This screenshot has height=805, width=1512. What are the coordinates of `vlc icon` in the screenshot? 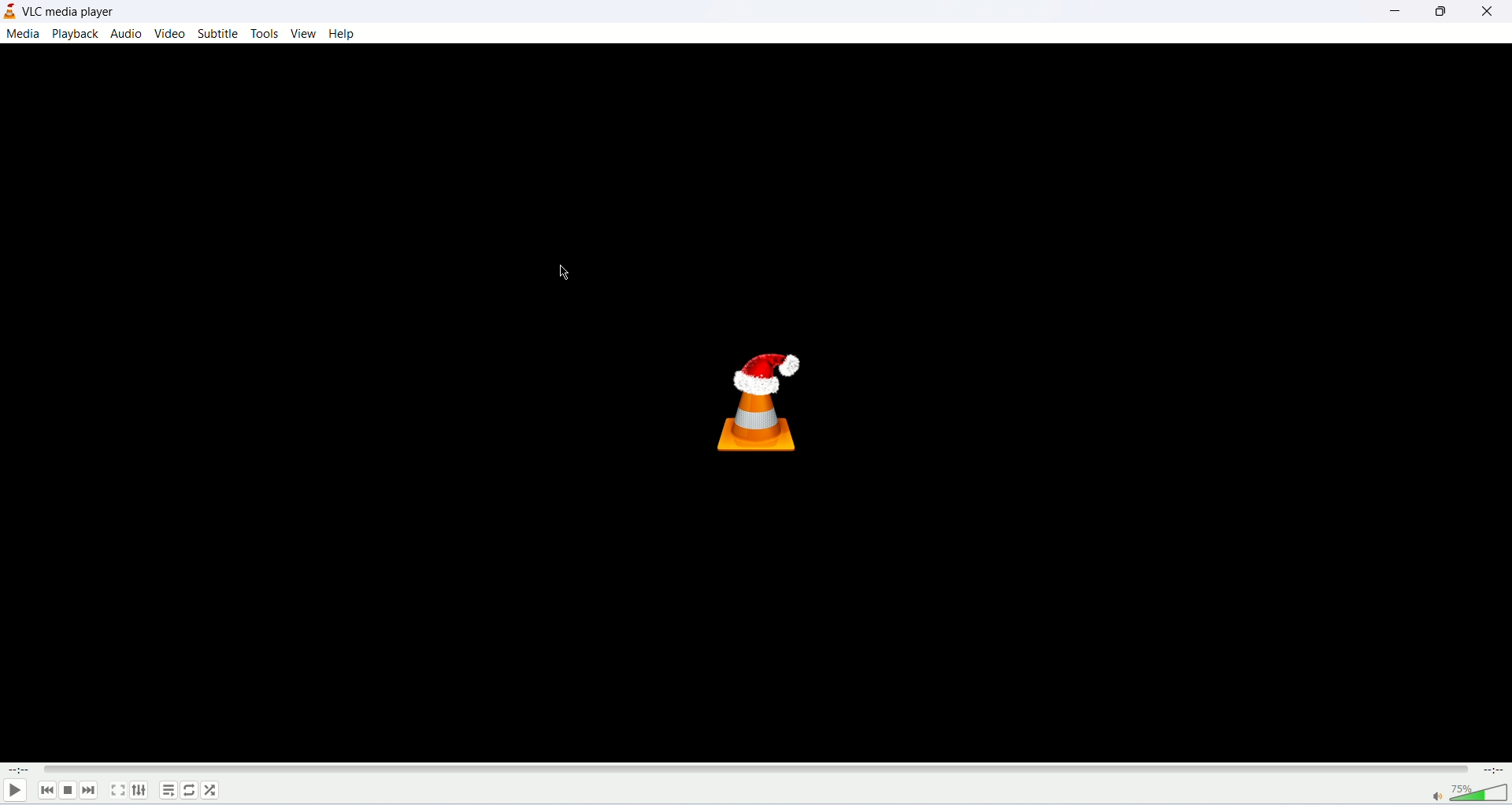 It's located at (757, 409).